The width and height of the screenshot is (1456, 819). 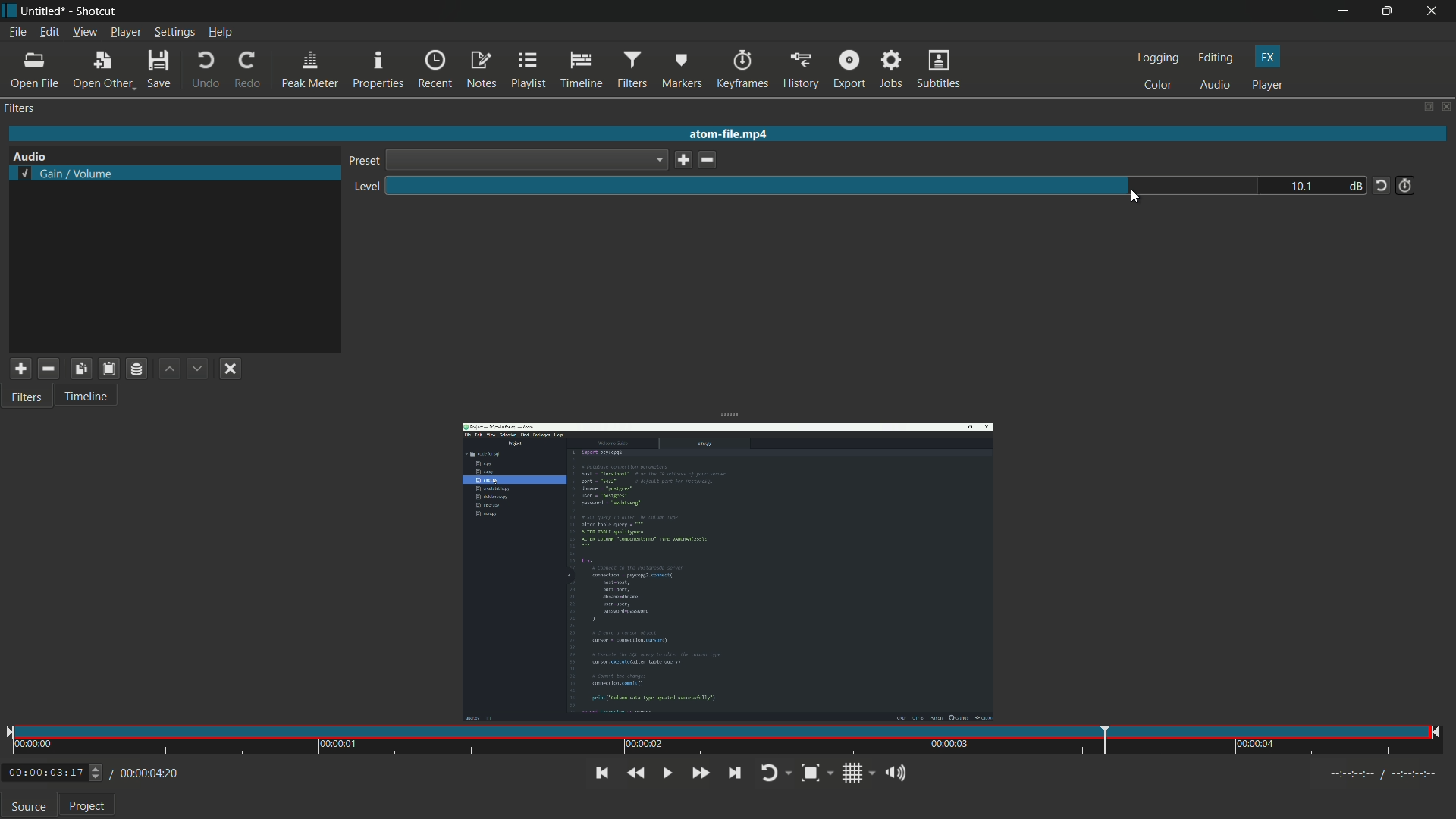 What do you see at coordinates (727, 573) in the screenshot?
I see `imported video` at bounding box center [727, 573].